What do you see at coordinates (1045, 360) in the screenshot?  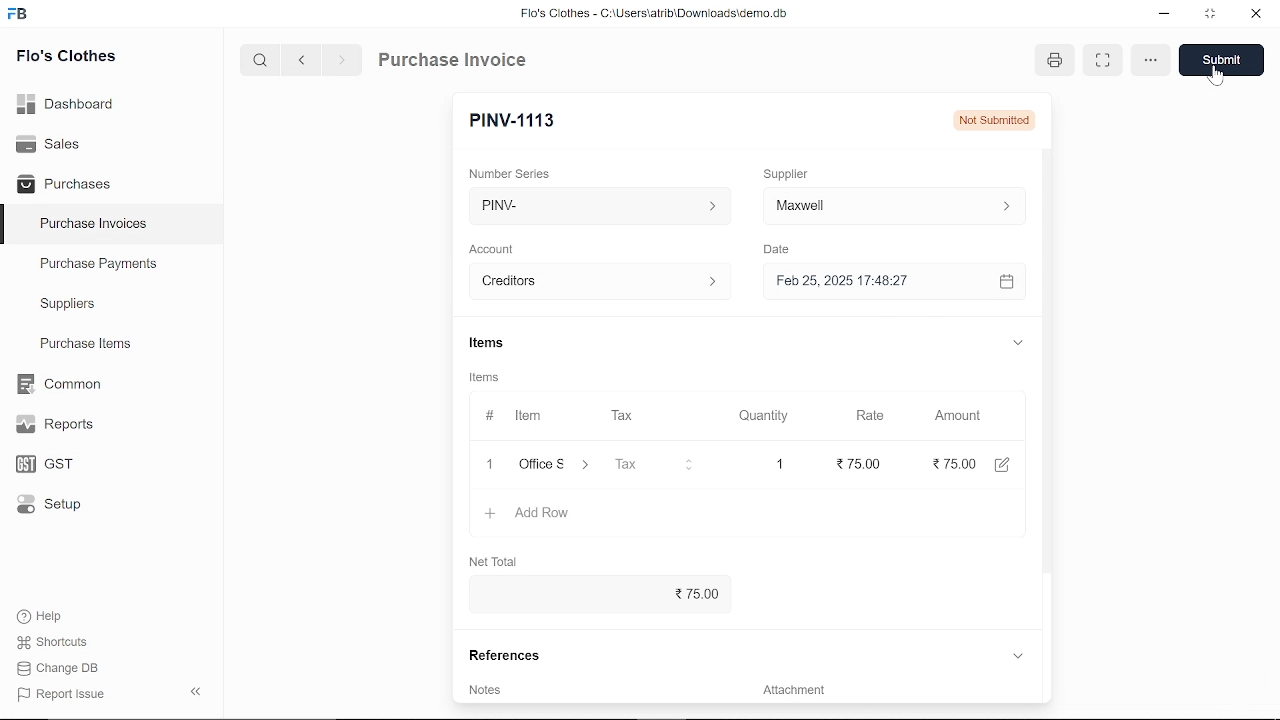 I see `vertical scrollbar` at bounding box center [1045, 360].